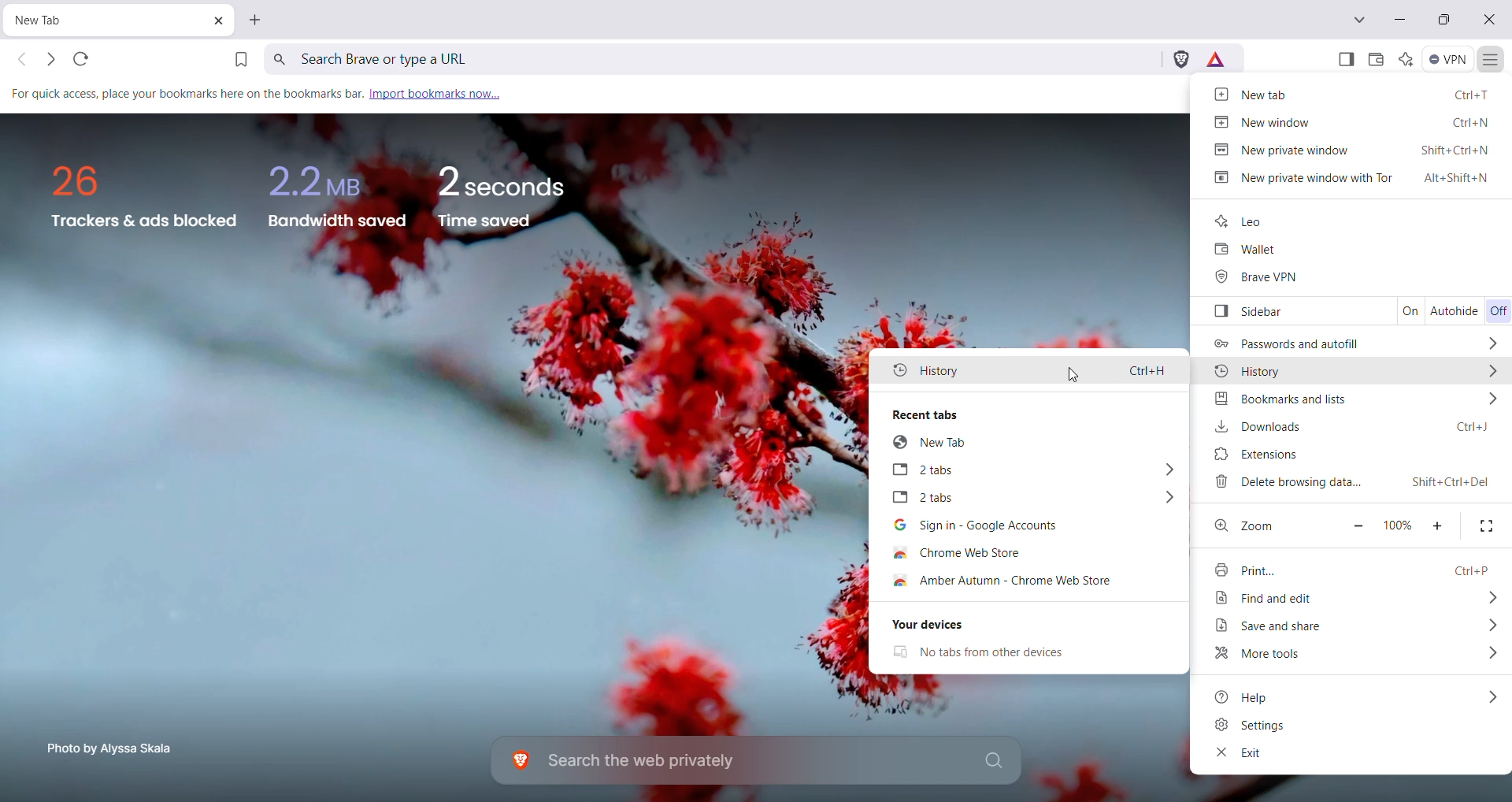  What do you see at coordinates (713, 58) in the screenshot?
I see `Search Brave or type a URL` at bounding box center [713, 58].